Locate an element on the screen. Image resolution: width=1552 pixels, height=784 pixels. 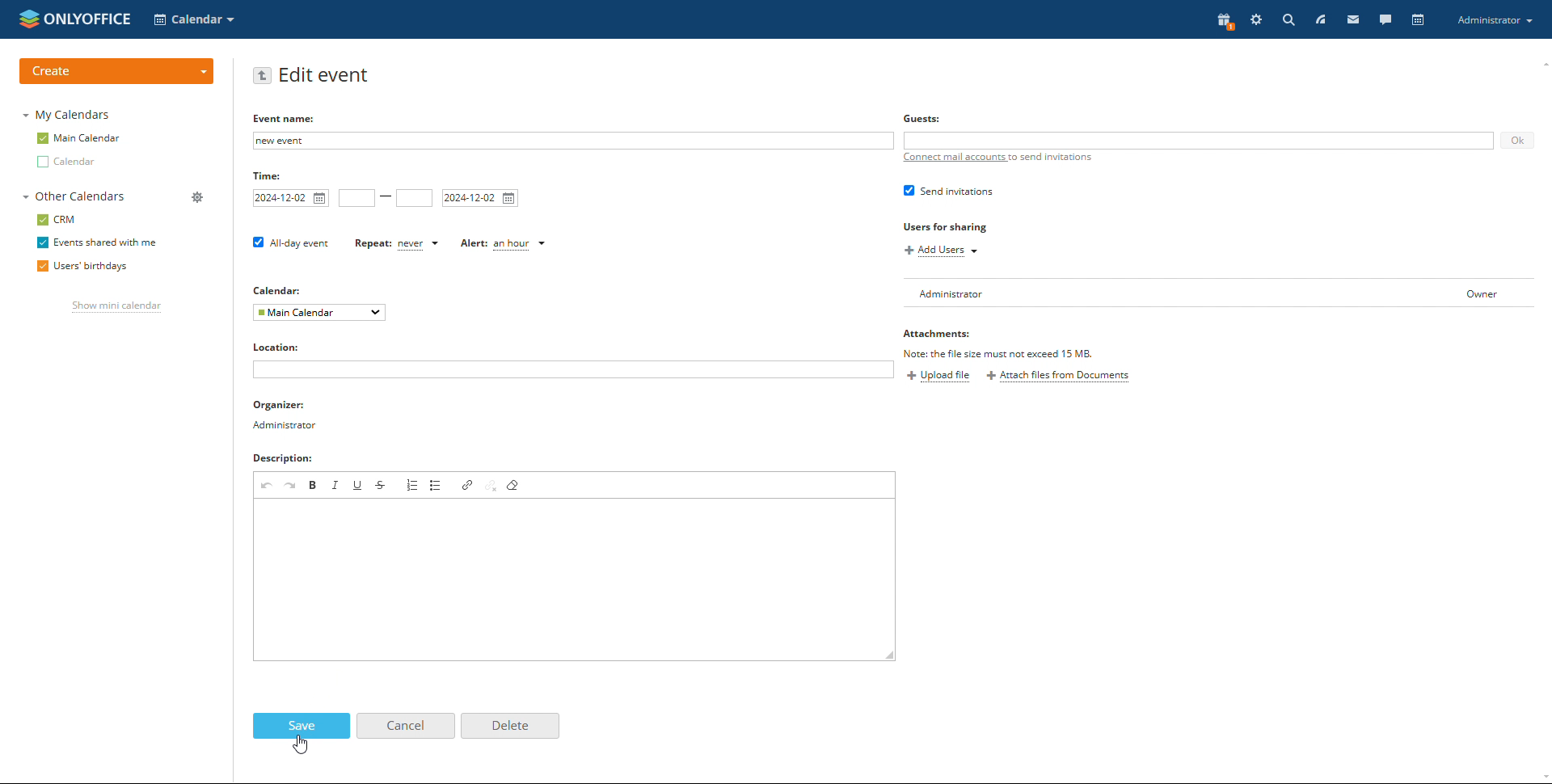
other calendars is located at coordinates (74, 196).